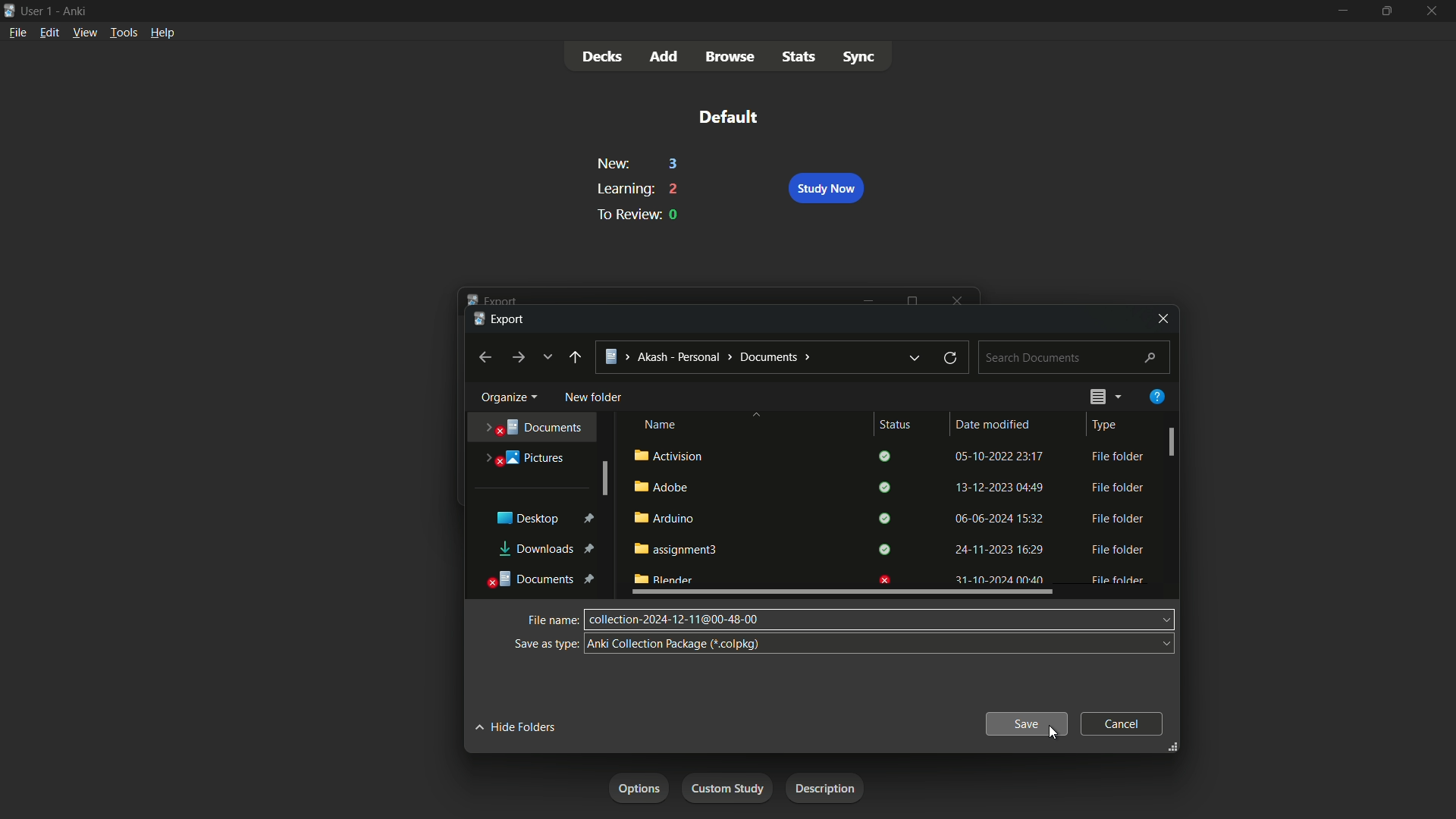 The width and height of the screenshot is (1456, 819). I want to click on folder , so click(891, 576).